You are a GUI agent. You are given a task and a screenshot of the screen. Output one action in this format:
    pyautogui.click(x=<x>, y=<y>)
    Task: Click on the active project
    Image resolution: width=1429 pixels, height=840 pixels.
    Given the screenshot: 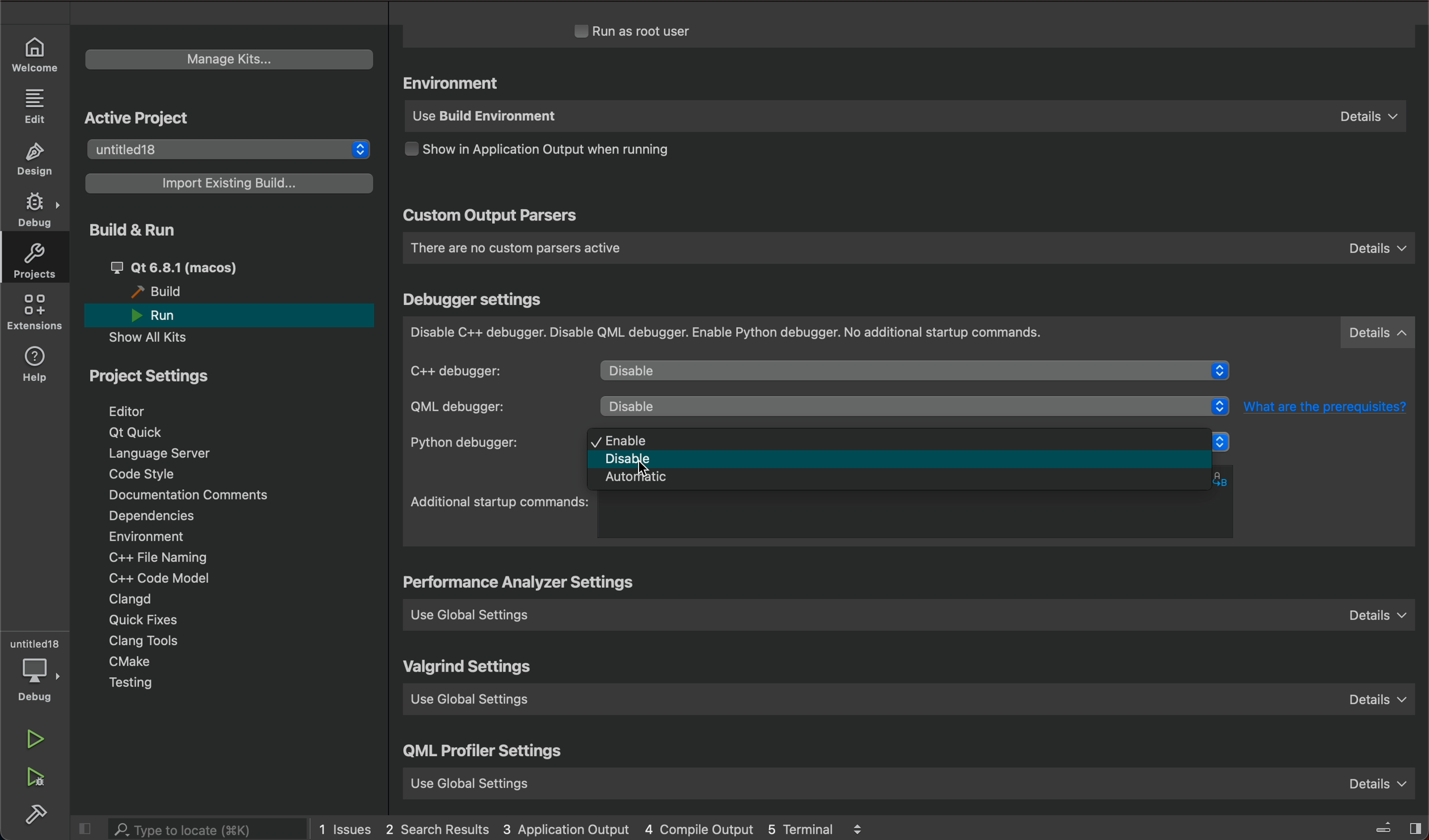 What is the action you would take?
    pyautogui.click(x=137, y=118)
    